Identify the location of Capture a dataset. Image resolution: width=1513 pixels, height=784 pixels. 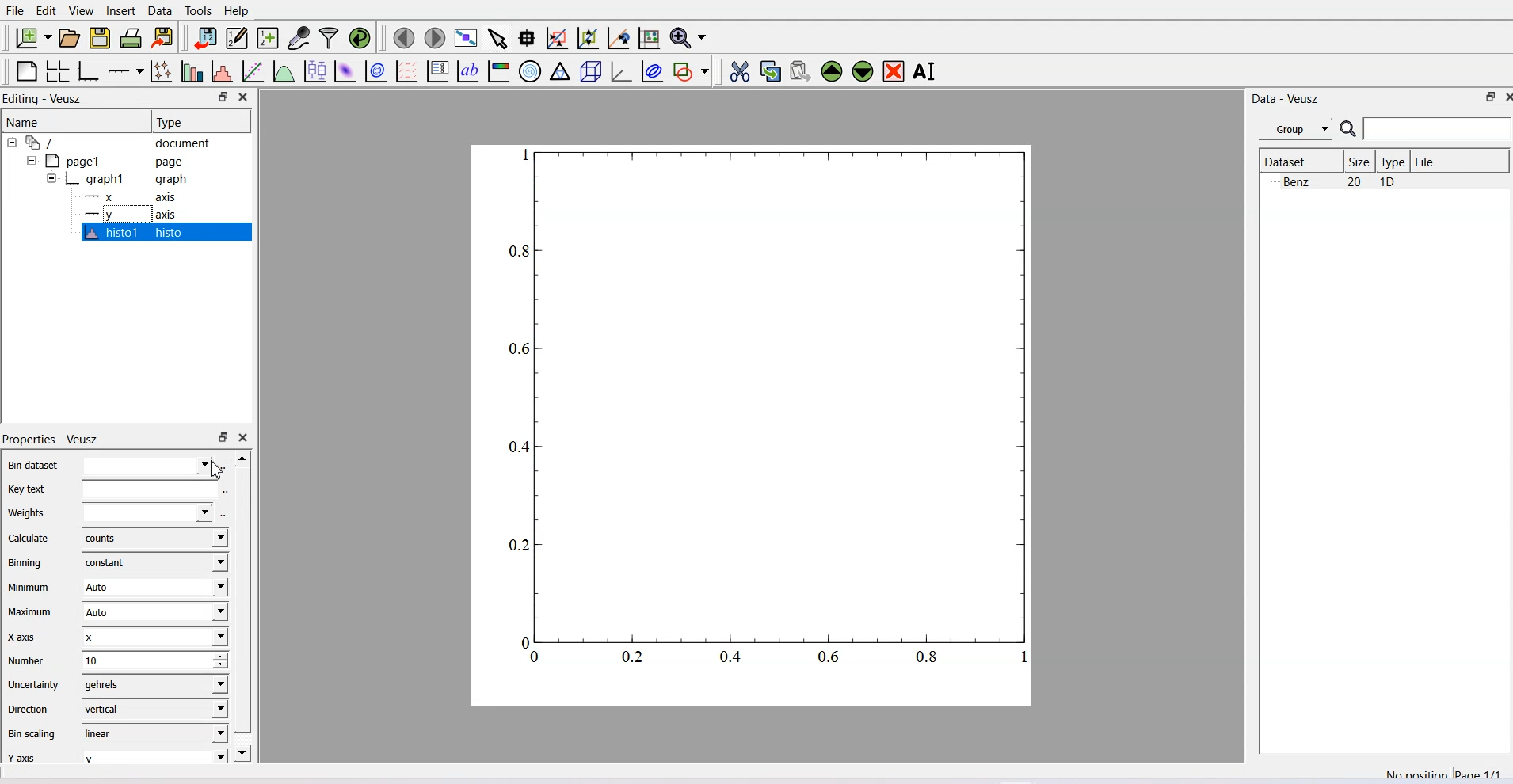
(299, 37).